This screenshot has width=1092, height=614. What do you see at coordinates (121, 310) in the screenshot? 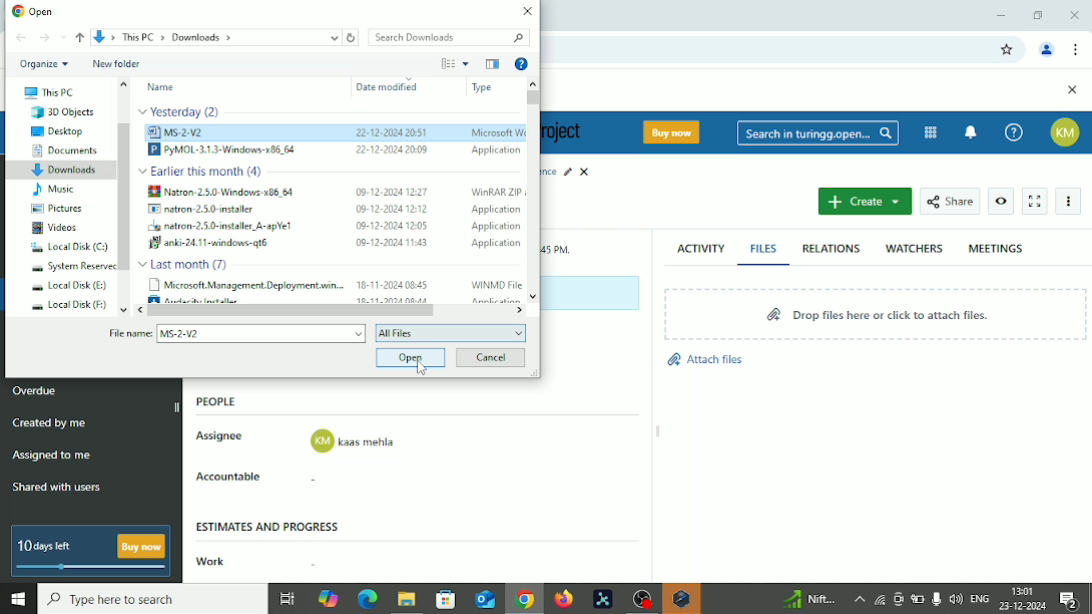
I see `move down` at bounding box center [121, 310].